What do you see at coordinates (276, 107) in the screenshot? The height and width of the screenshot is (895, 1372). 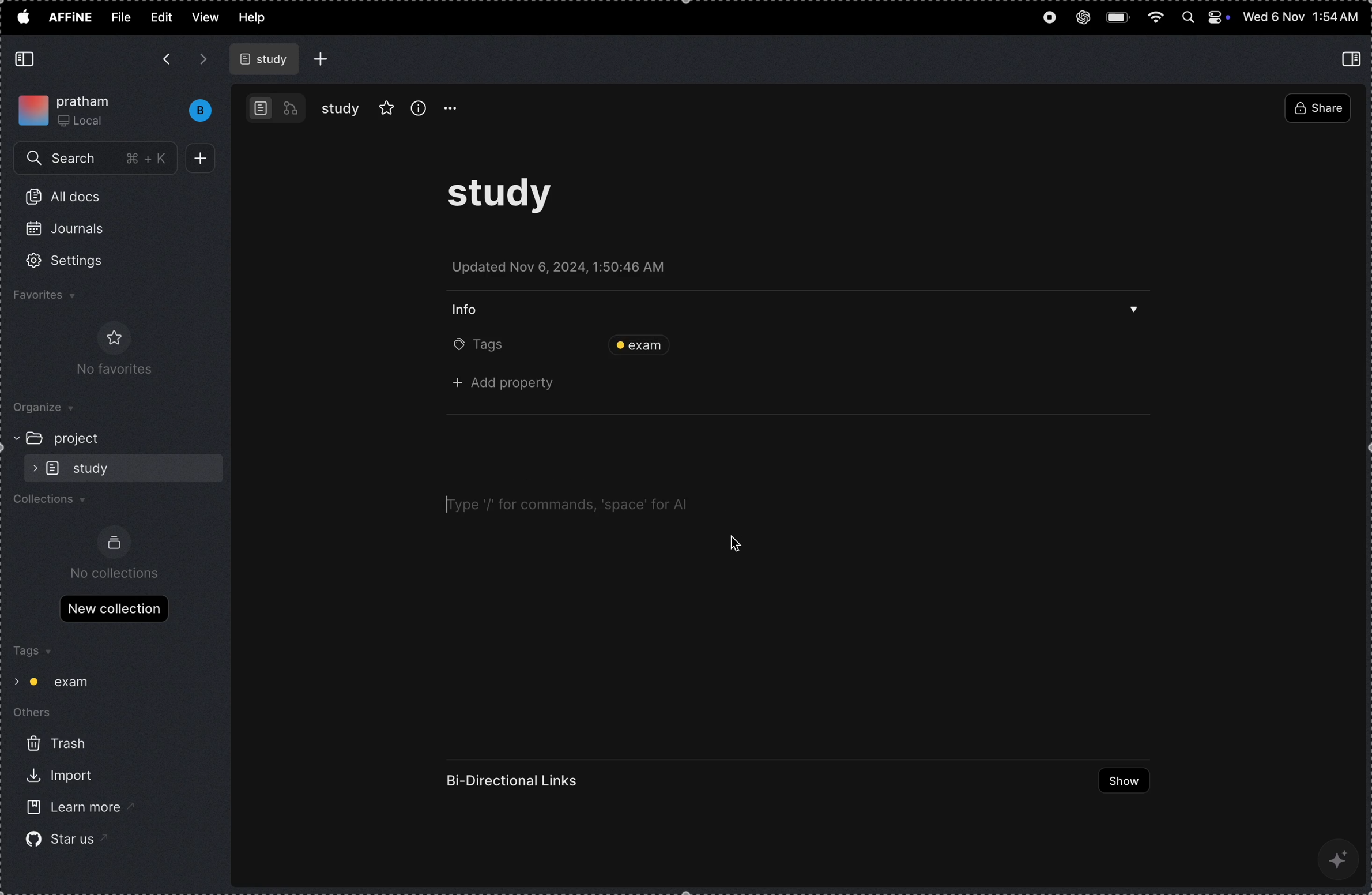 I see `work bench` at bounding box center [276, 107].